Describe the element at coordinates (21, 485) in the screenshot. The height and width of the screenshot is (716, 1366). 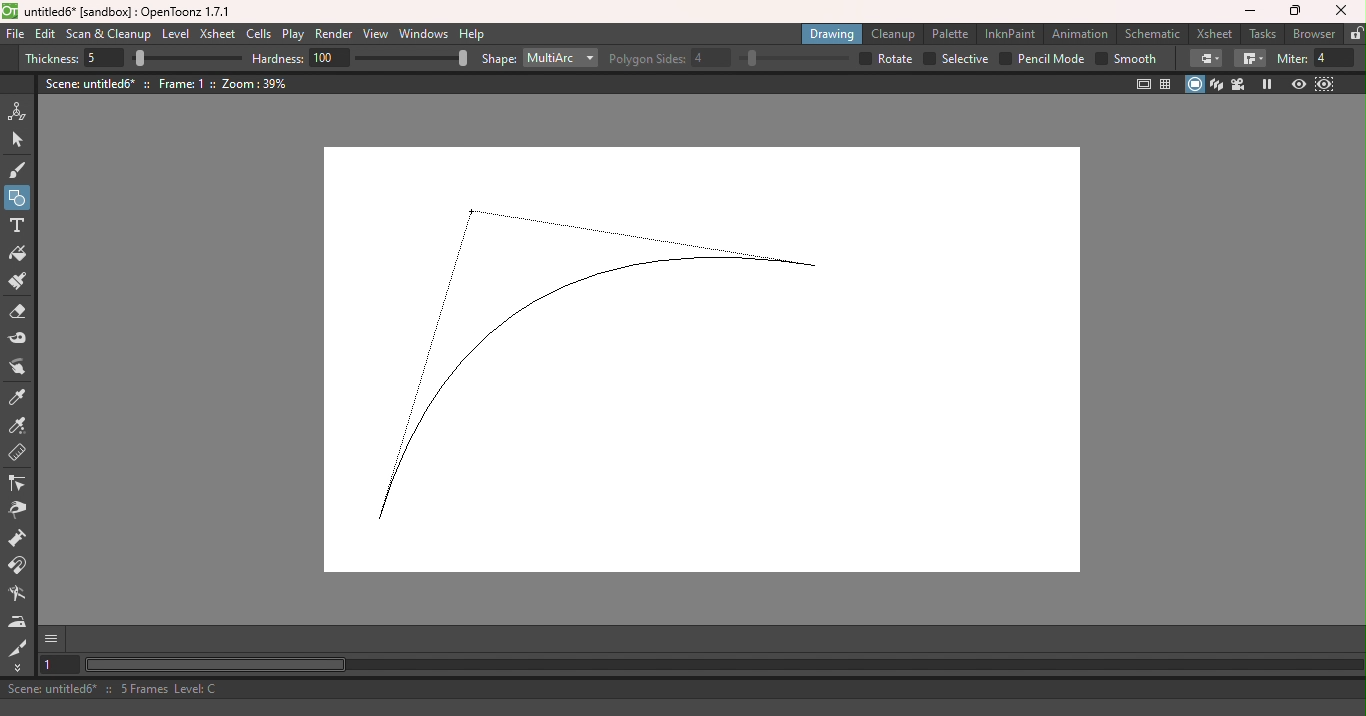
I see `Control point editor tool` at that location.